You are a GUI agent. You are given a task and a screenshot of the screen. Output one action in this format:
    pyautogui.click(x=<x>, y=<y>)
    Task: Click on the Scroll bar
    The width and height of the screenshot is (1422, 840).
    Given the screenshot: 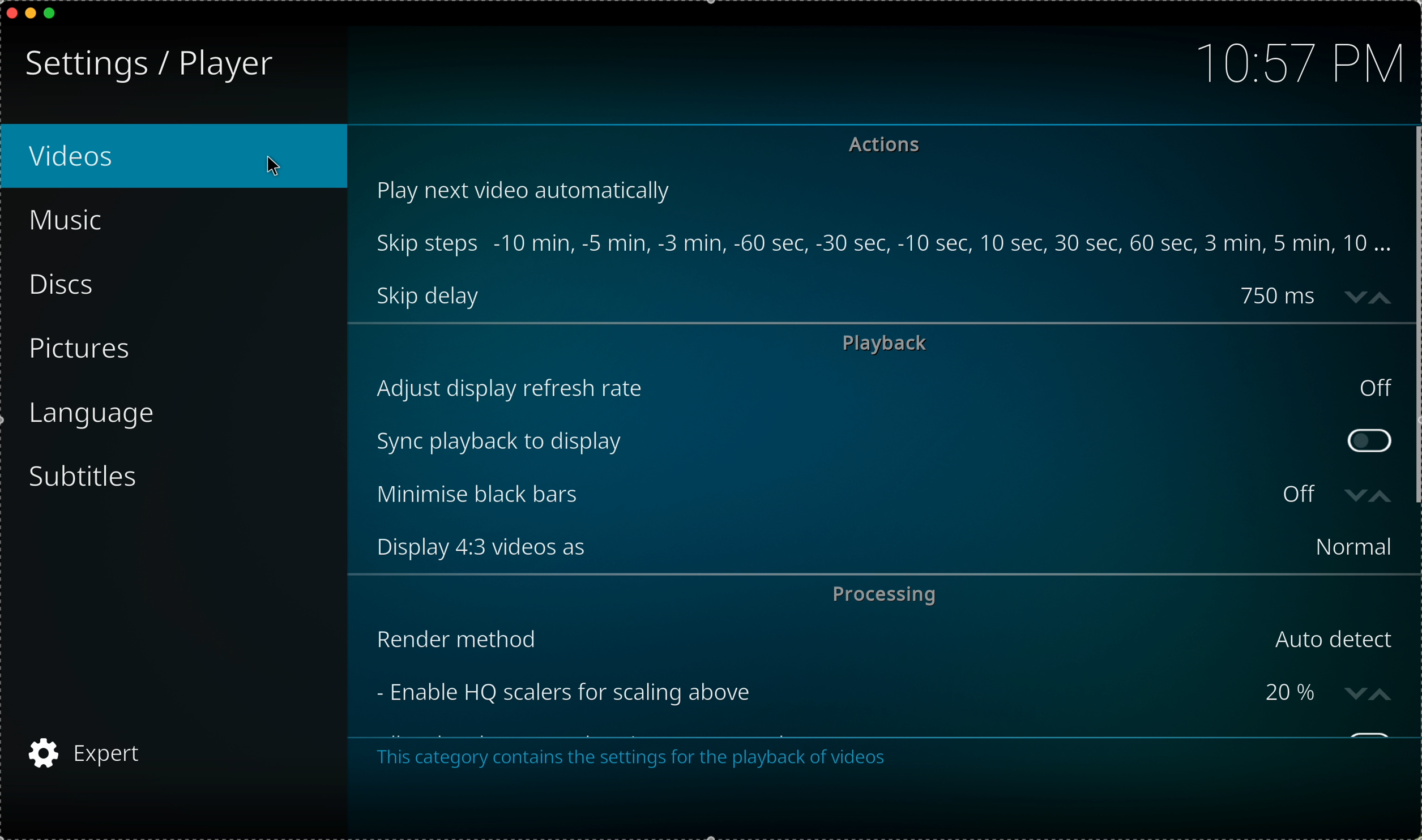 What is the action you would take?
    pyautogui.click(x=1413, y=316)
    